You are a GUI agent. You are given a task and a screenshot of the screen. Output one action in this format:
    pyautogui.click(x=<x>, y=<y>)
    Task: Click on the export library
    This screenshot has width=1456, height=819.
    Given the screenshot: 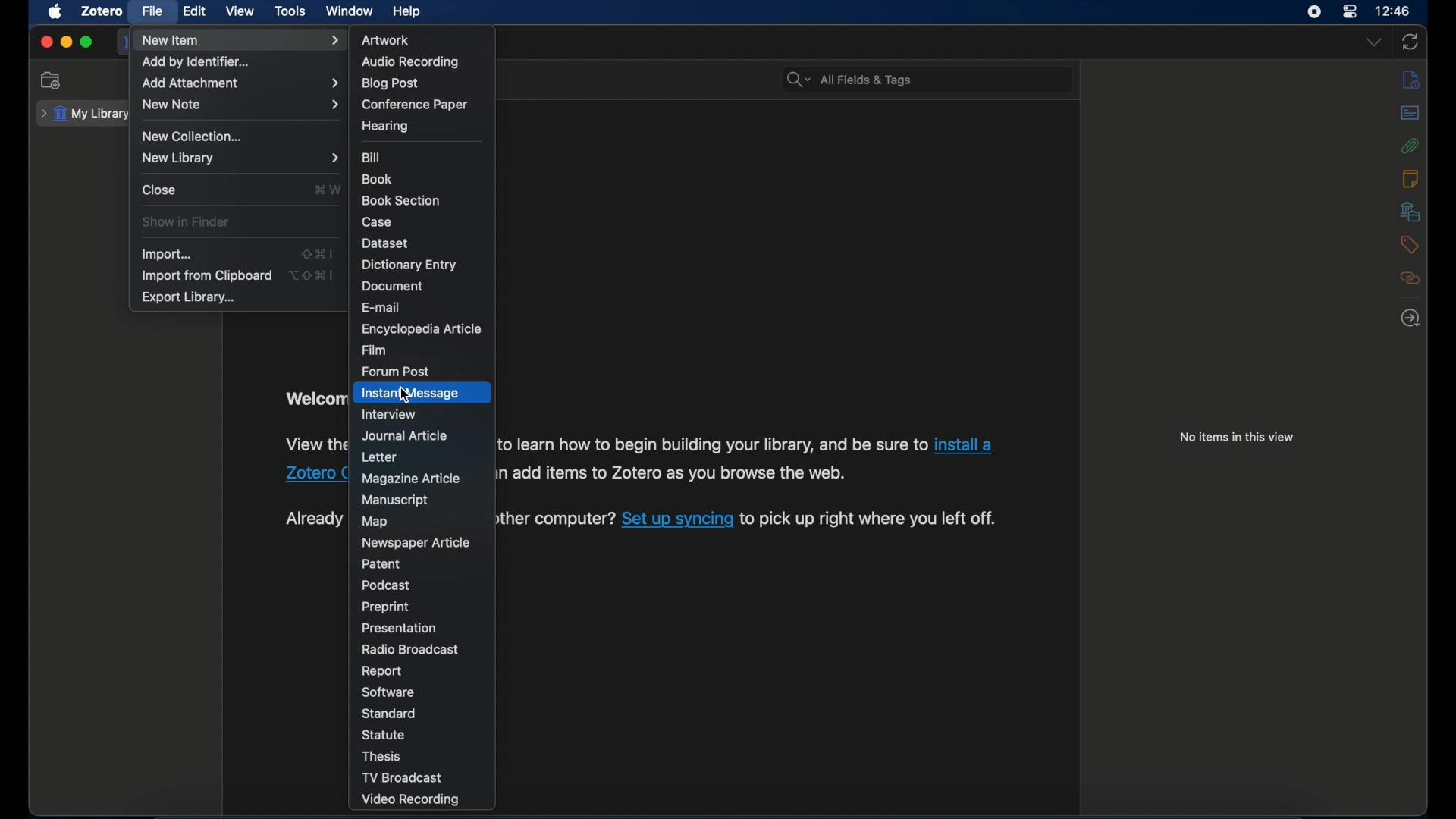 What is the action you would take?
    pyautogui.click(x=187, y=297)
    